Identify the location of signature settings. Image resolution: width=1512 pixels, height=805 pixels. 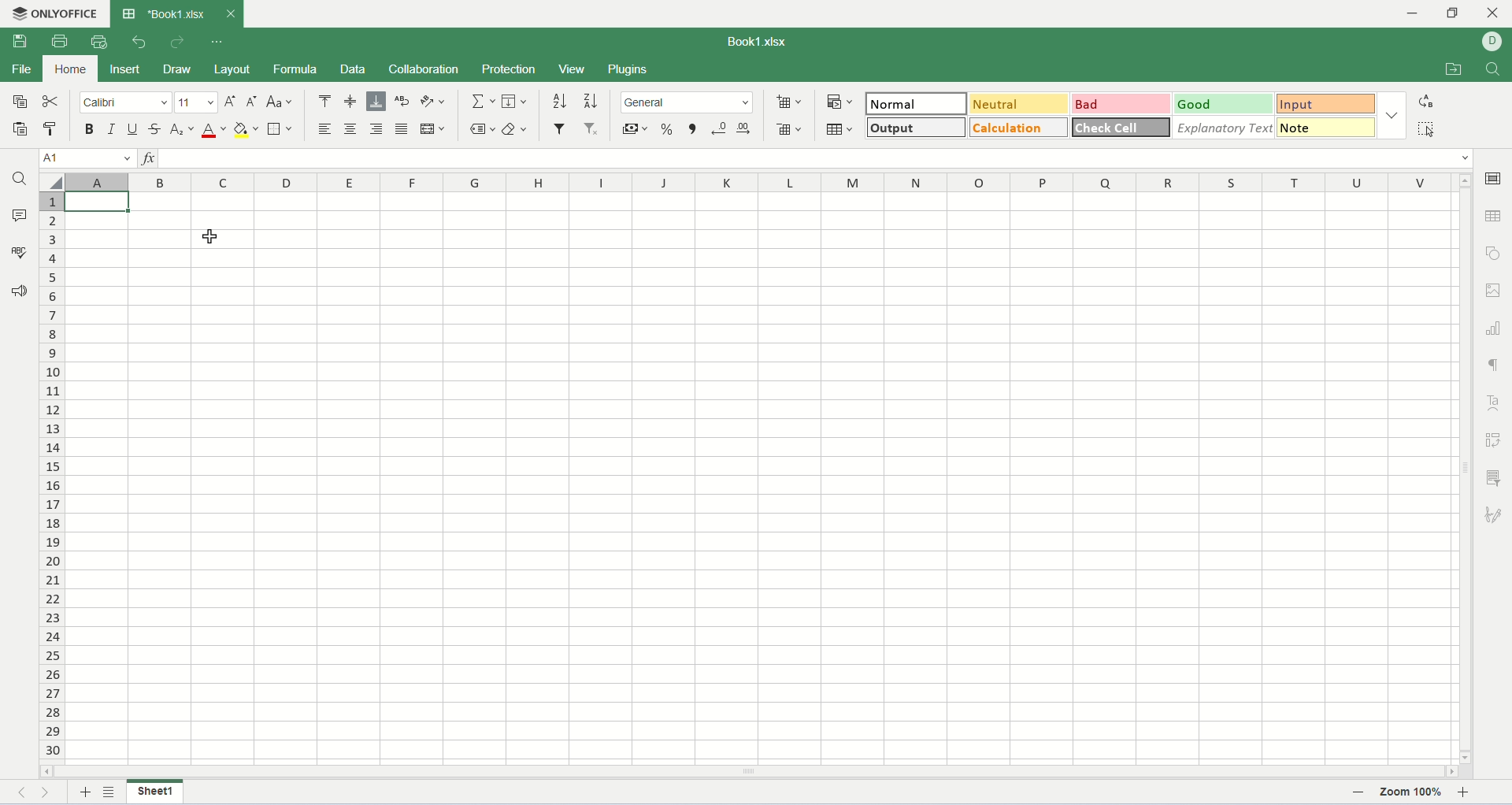
(1498, 514).